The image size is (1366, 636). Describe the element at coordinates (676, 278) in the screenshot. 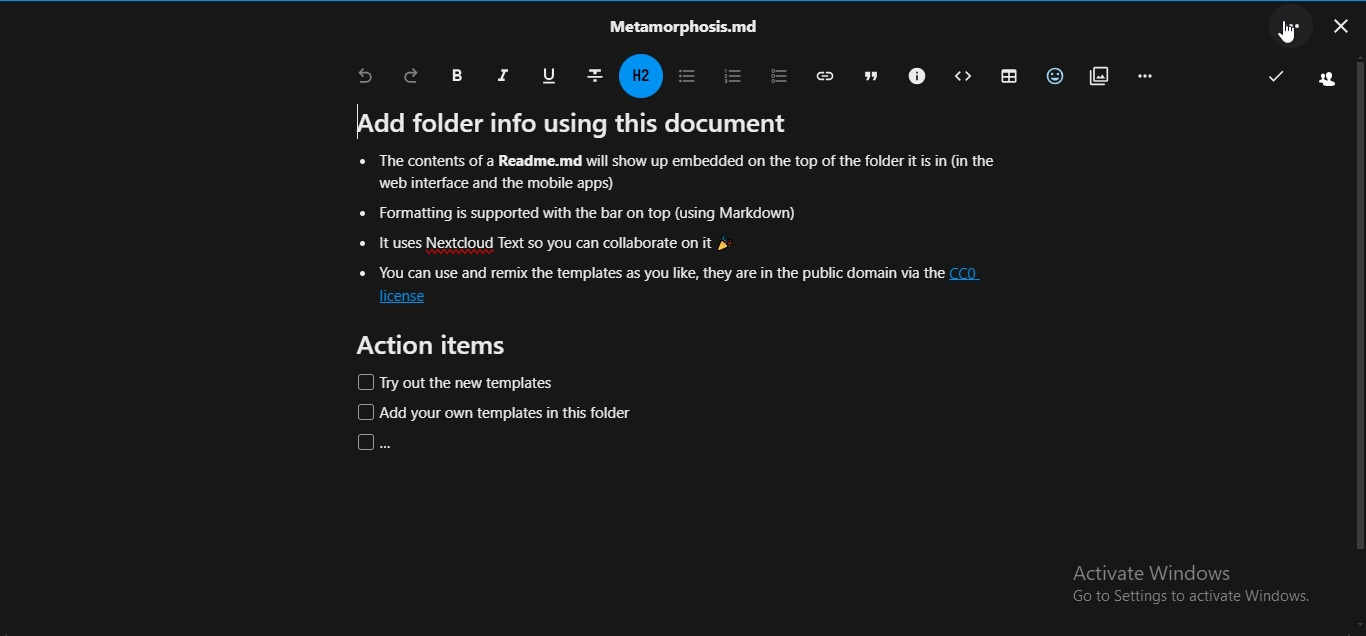

I see `text` at that location.